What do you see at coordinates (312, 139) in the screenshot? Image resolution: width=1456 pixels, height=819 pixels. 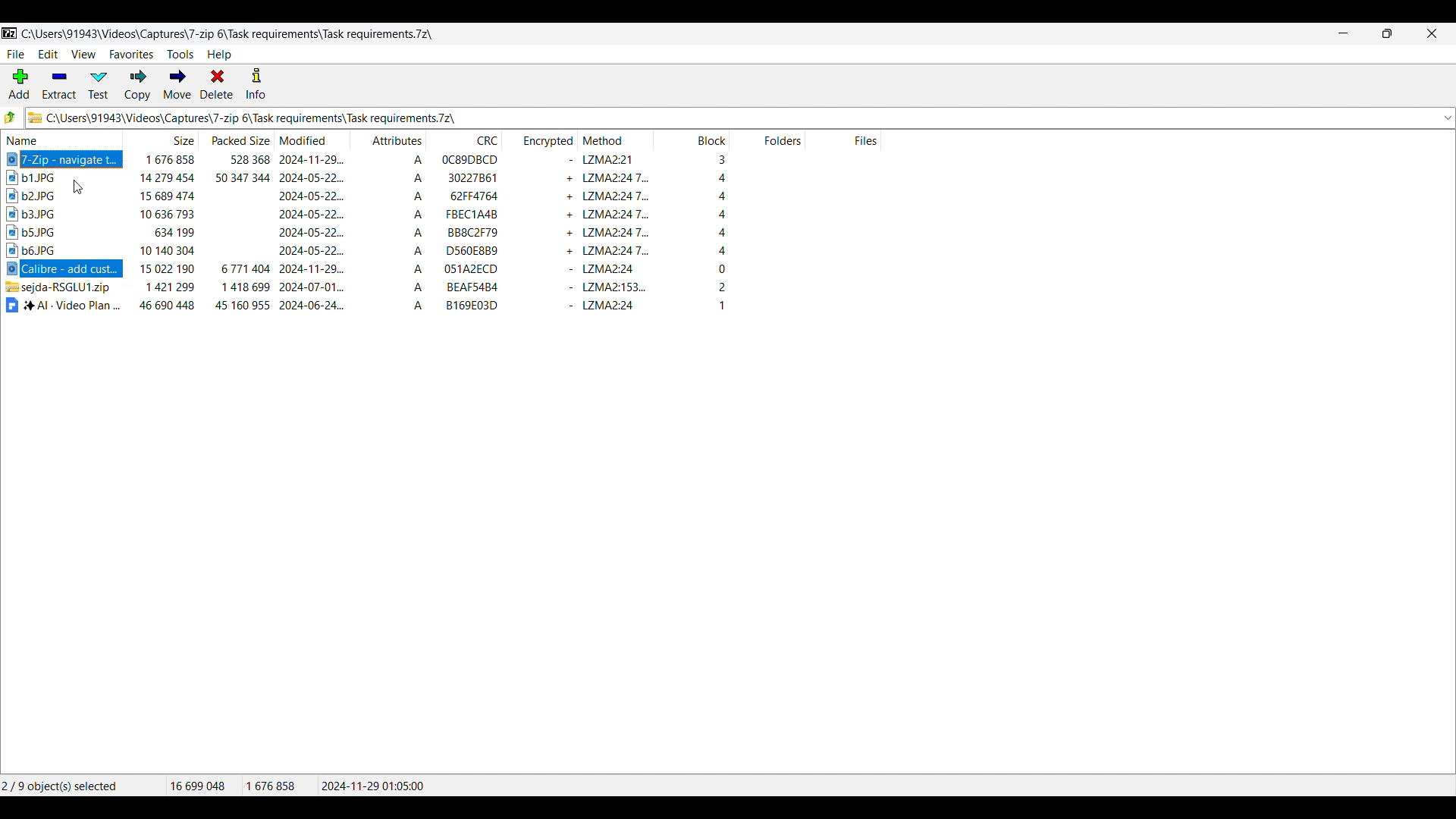 I see `Modified column` at bounding box center [312, 139].